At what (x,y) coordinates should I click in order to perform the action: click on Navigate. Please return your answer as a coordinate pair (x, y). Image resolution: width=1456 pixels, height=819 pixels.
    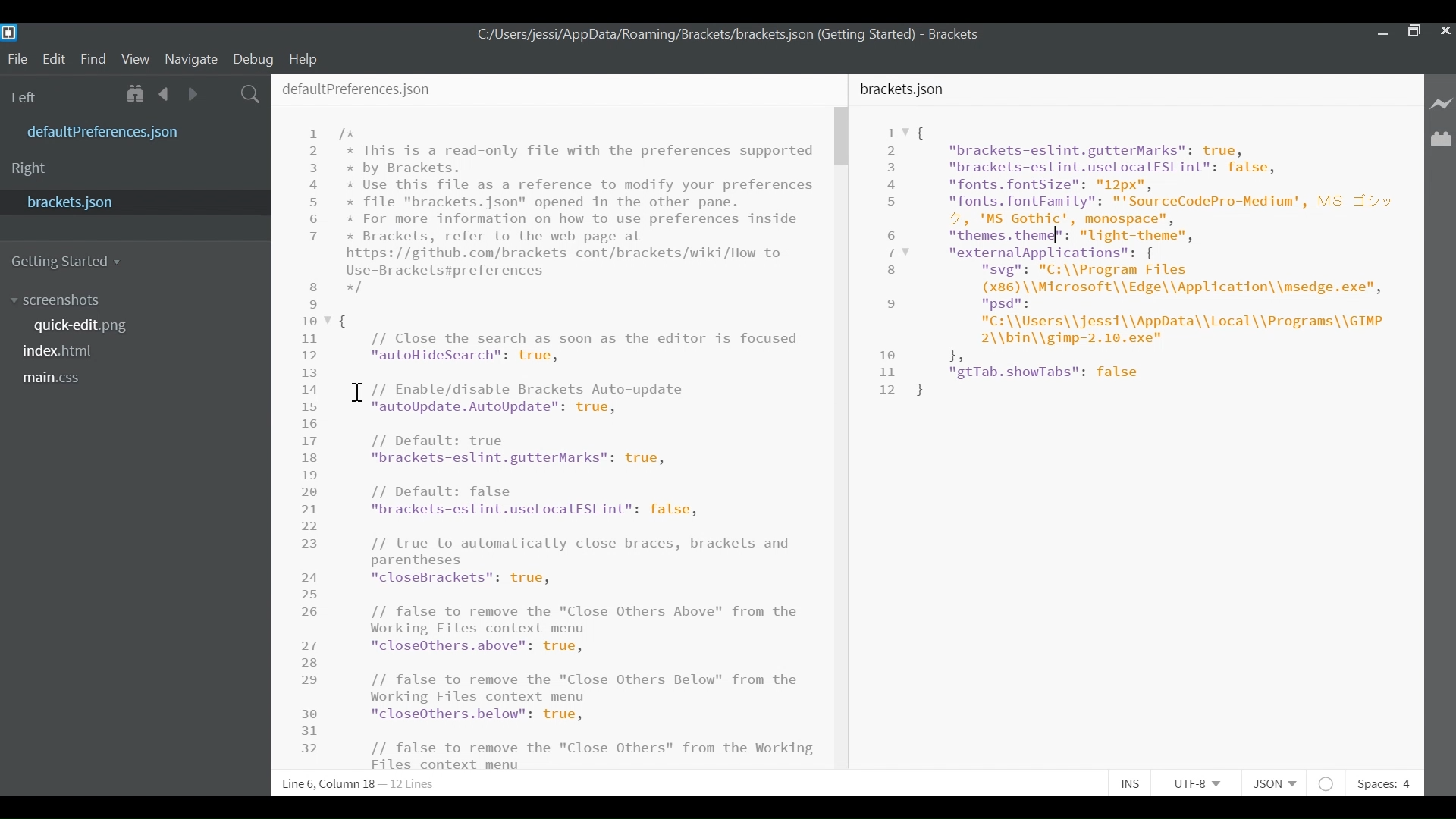
    Looking at the image, I should click on (192, 58).